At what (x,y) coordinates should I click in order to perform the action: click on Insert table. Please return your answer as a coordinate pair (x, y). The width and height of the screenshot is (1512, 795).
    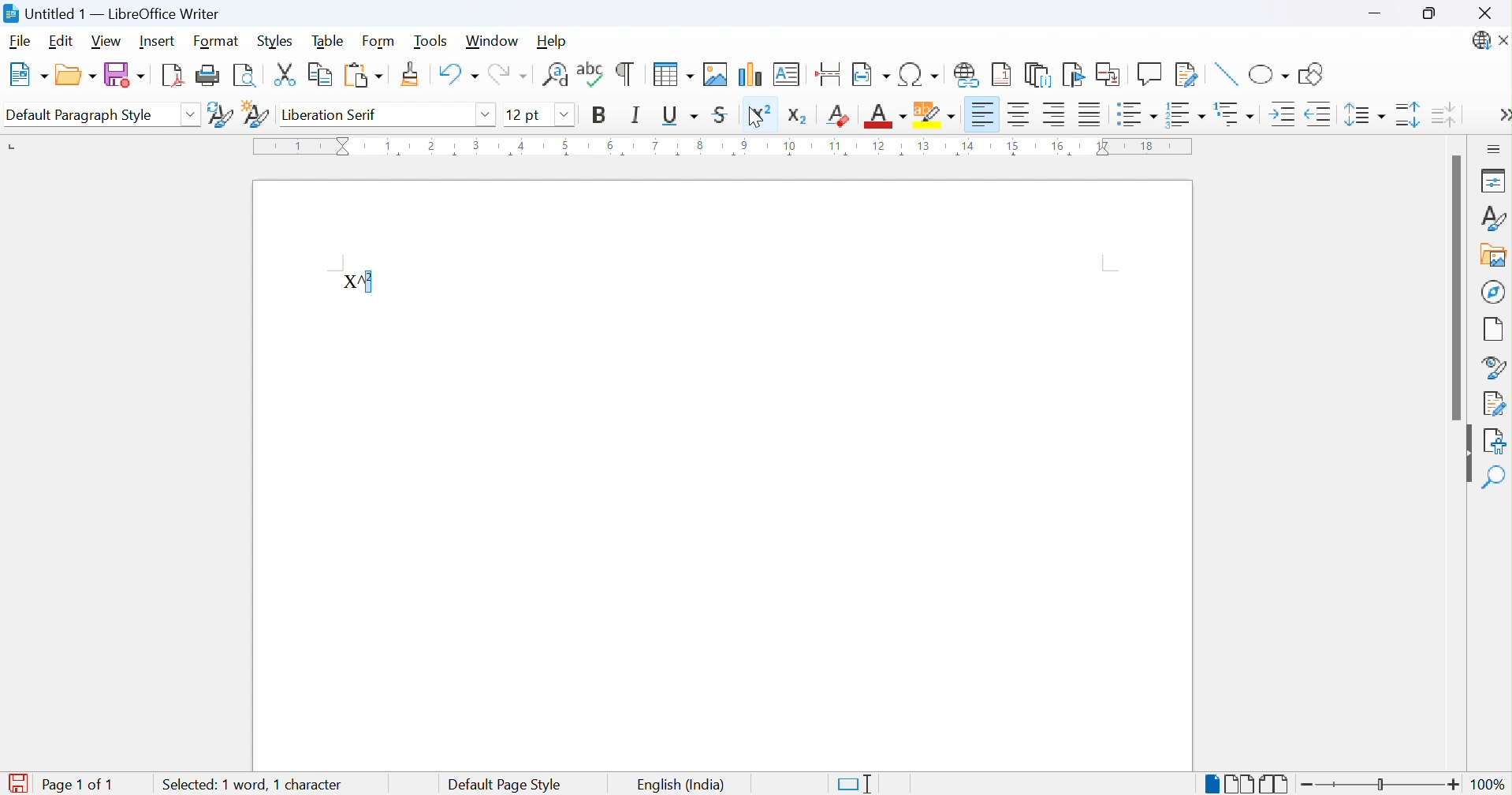
    Looking at the image, I should click on (676, 73).